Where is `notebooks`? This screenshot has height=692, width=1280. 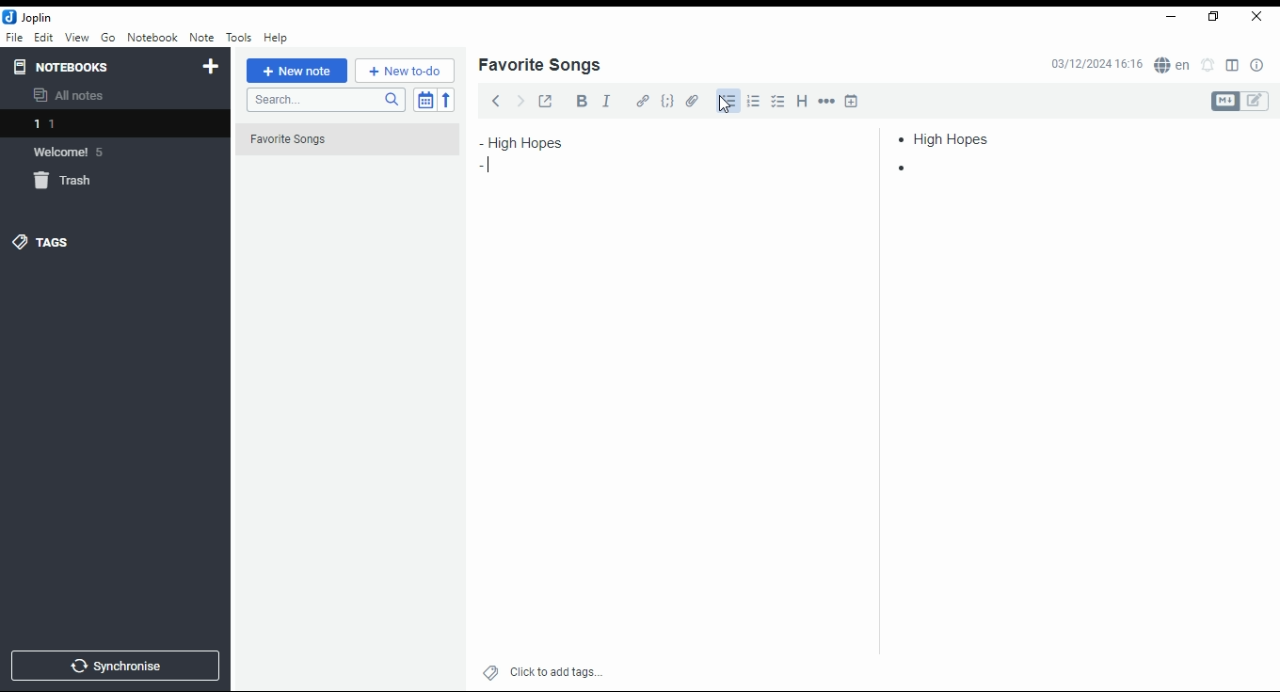 notebooks is located at coordinates (97, 66).